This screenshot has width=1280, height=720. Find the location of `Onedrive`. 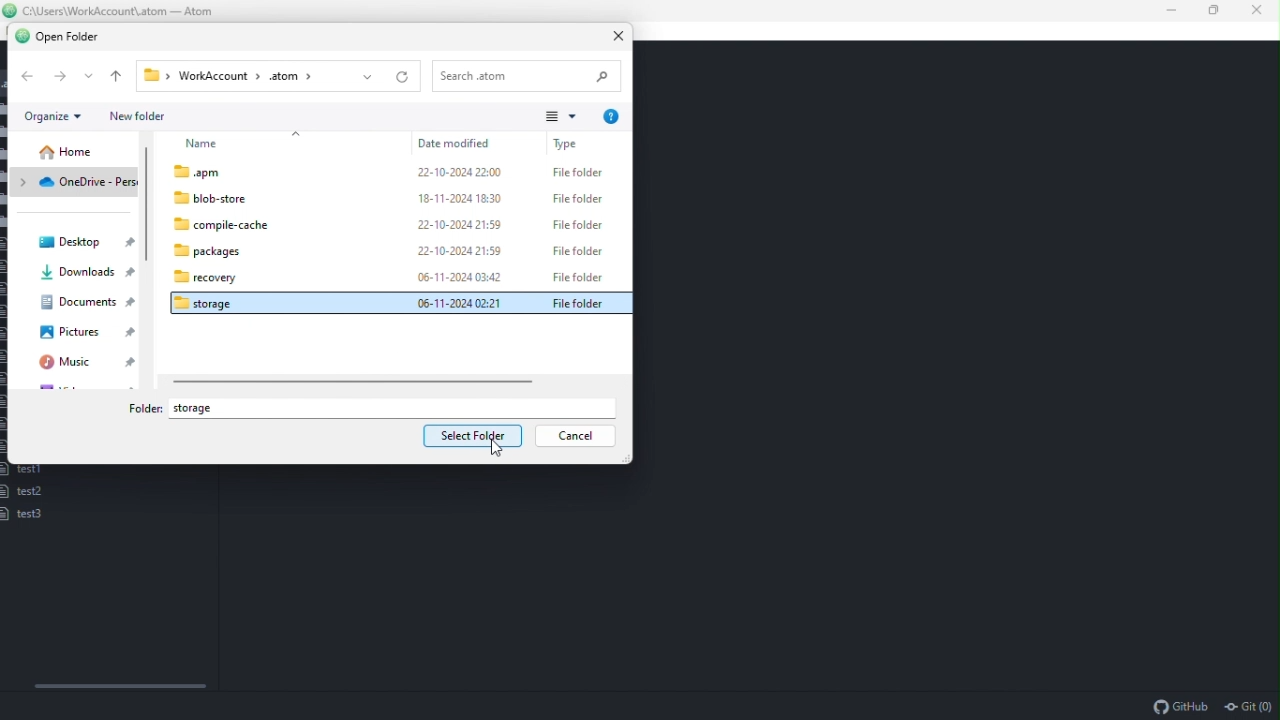

Onedrive is located at coordinates (74, 182).